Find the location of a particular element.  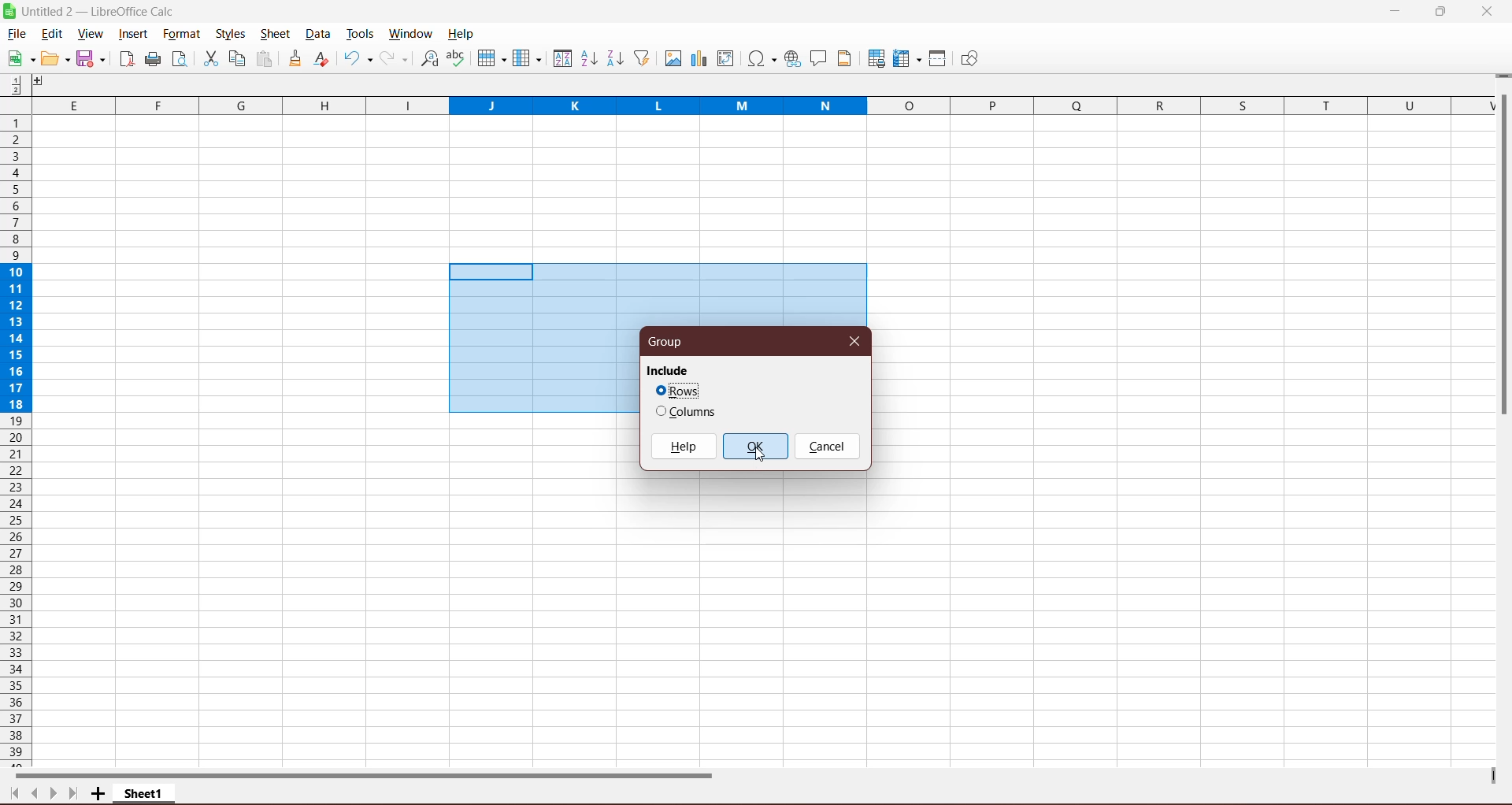

Sort  Ascending is located at coordinates (588, 58).